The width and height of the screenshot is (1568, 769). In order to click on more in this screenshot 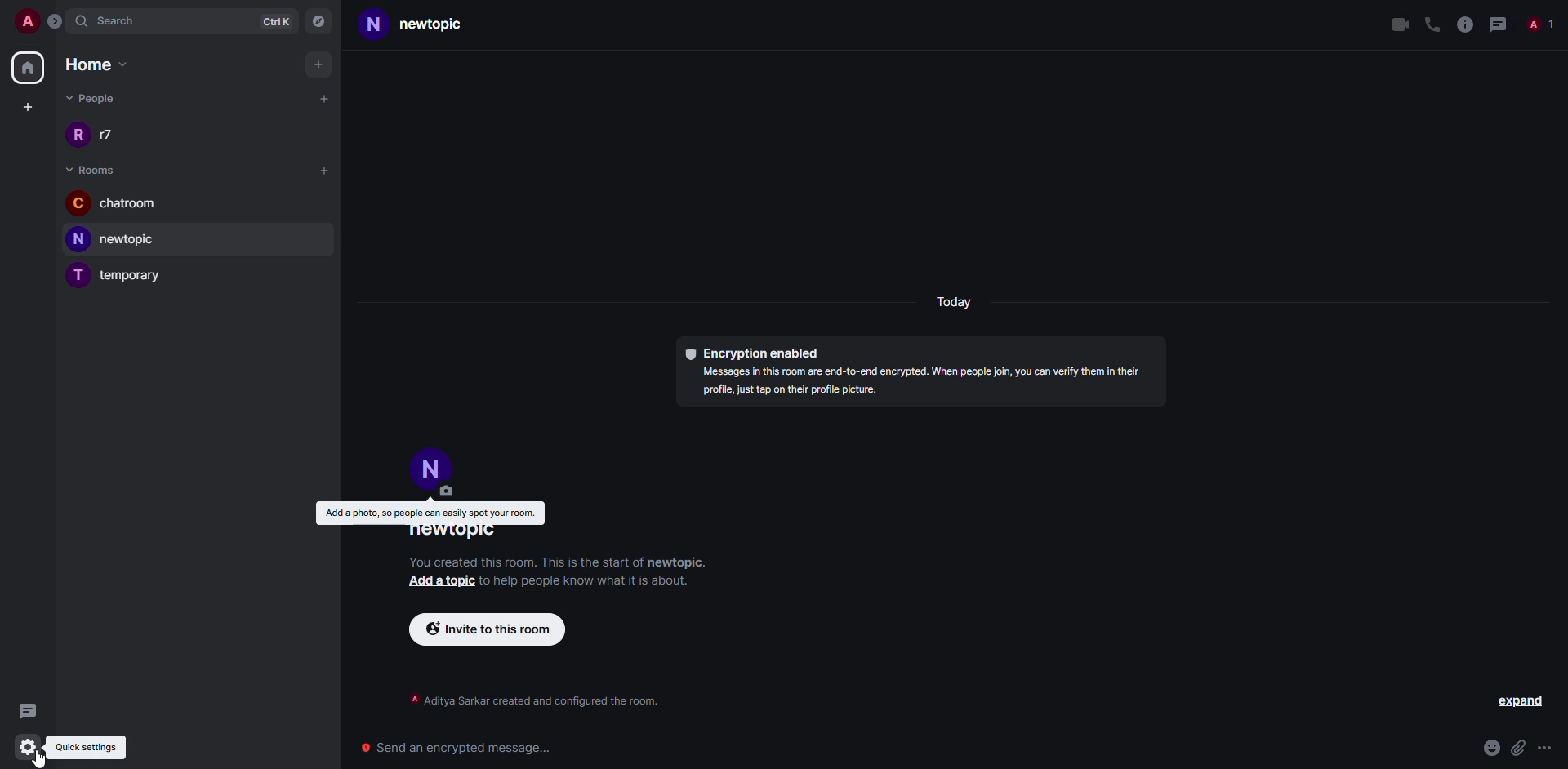, I will do `click(1545, 749)`.